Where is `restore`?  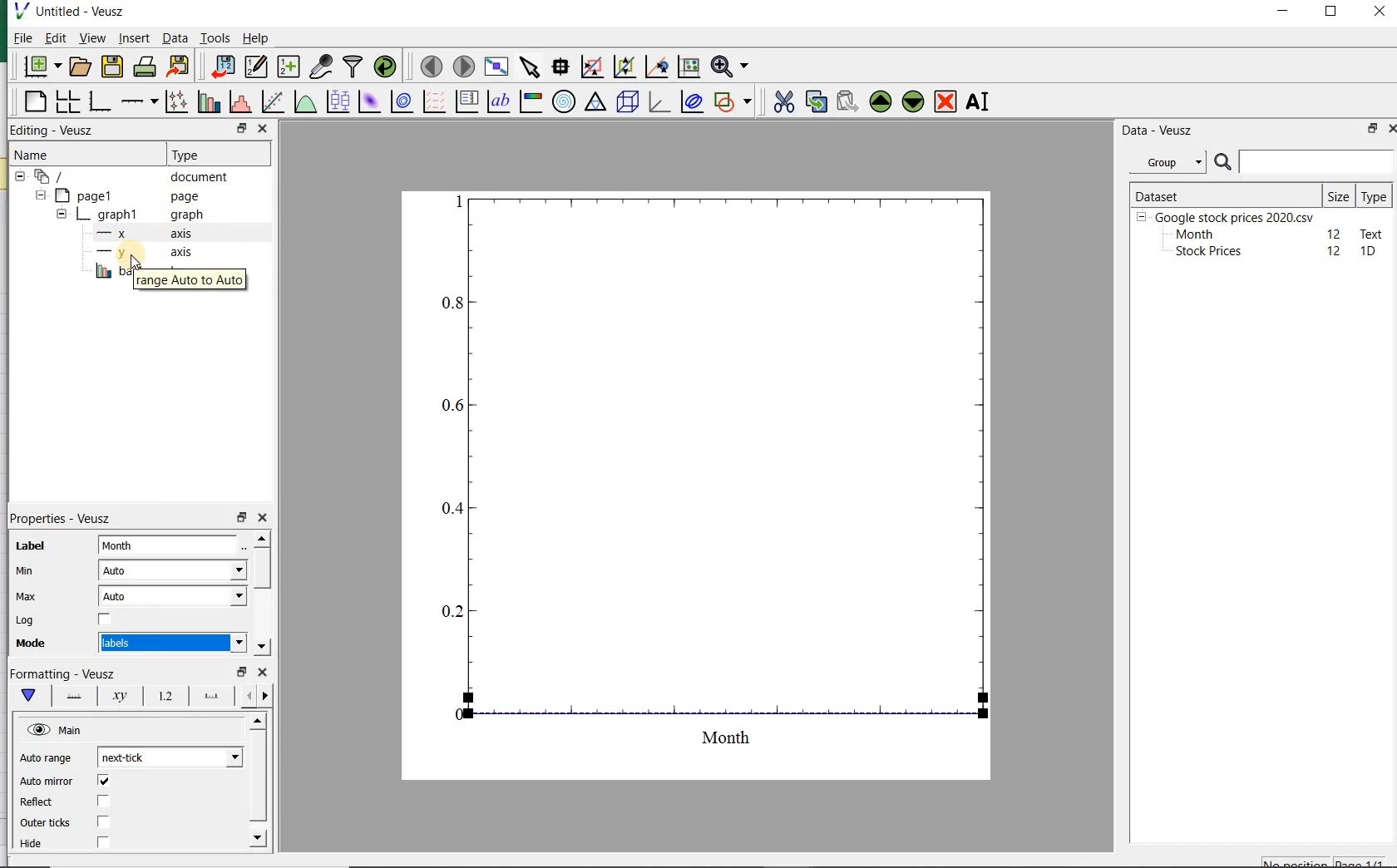 restore is located at coordinates (243, 518).